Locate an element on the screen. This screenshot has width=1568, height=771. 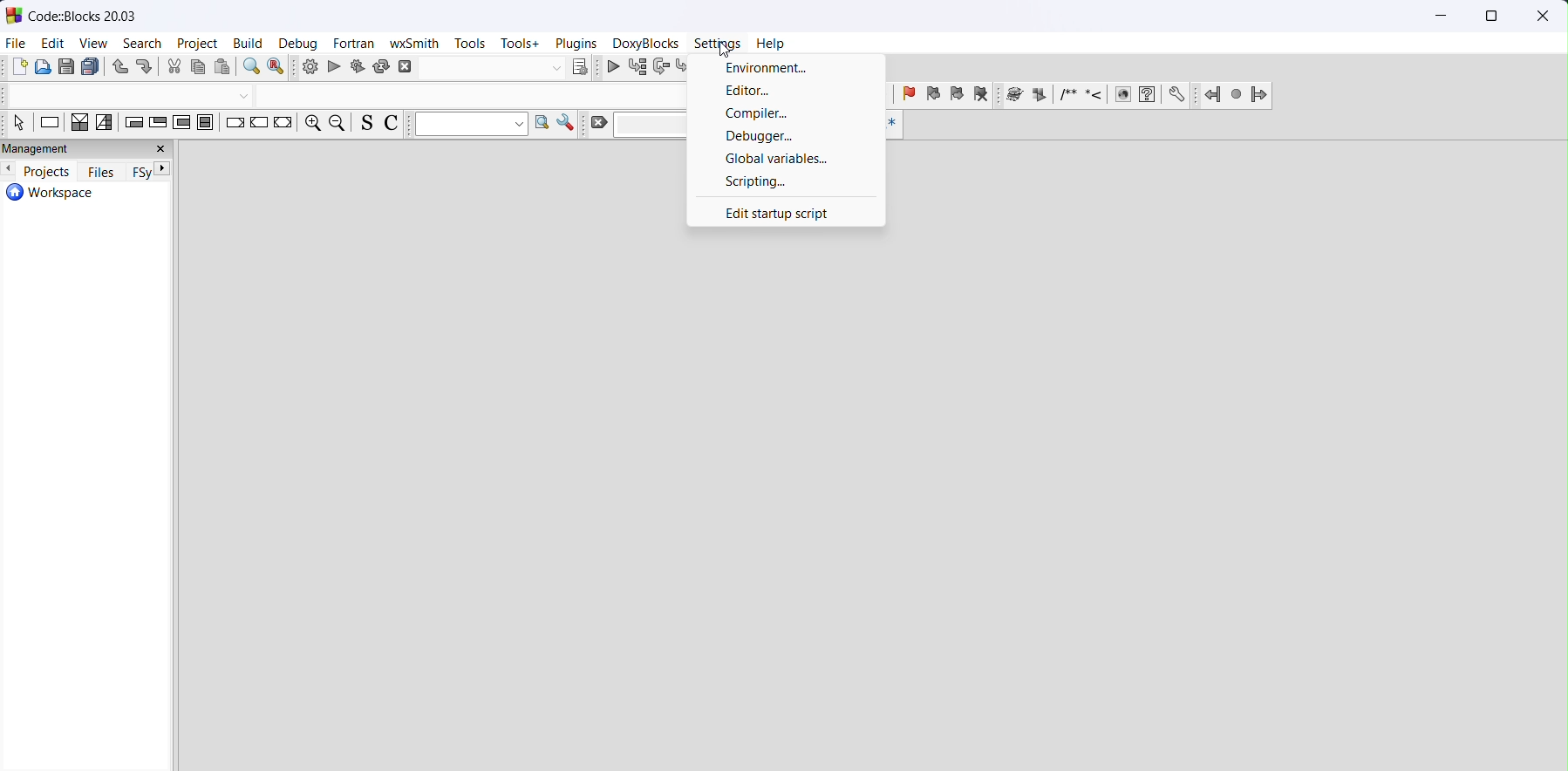
continue instruction is located at coordinates (260, 124).